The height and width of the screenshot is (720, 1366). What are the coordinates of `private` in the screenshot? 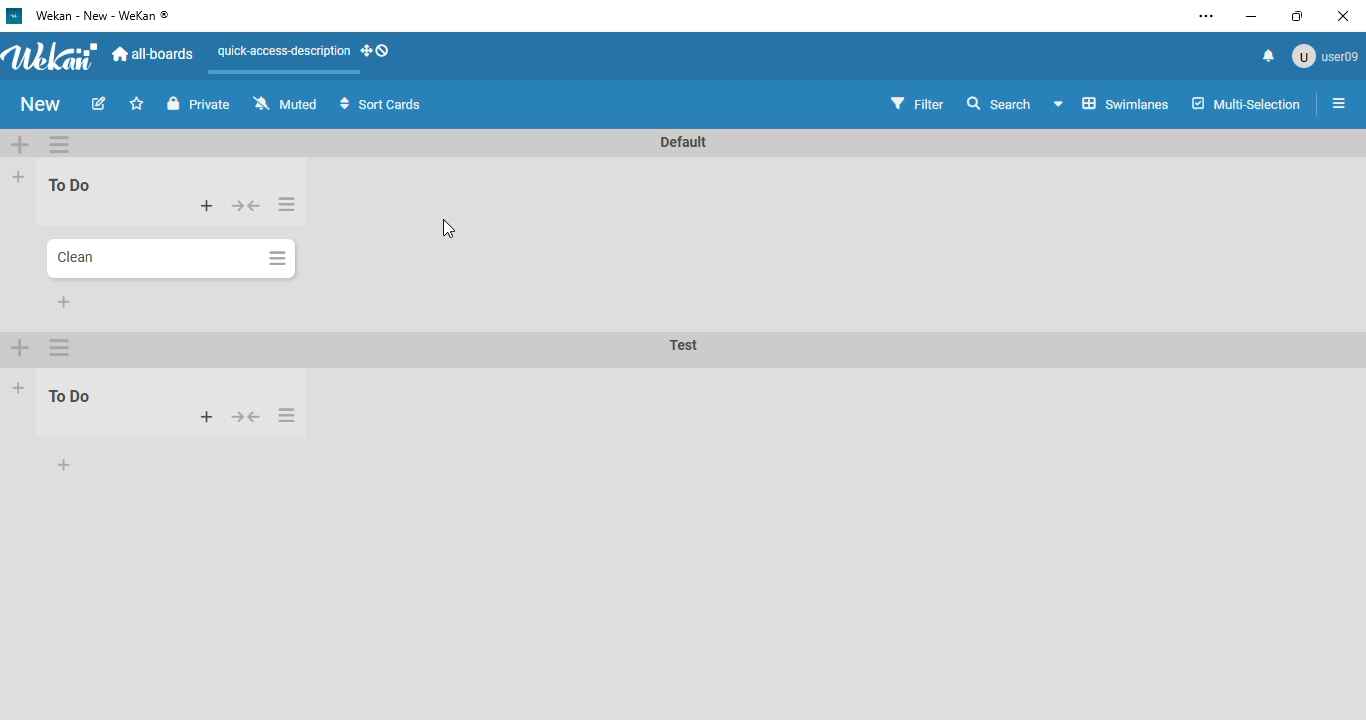 It's located at (200, 103).